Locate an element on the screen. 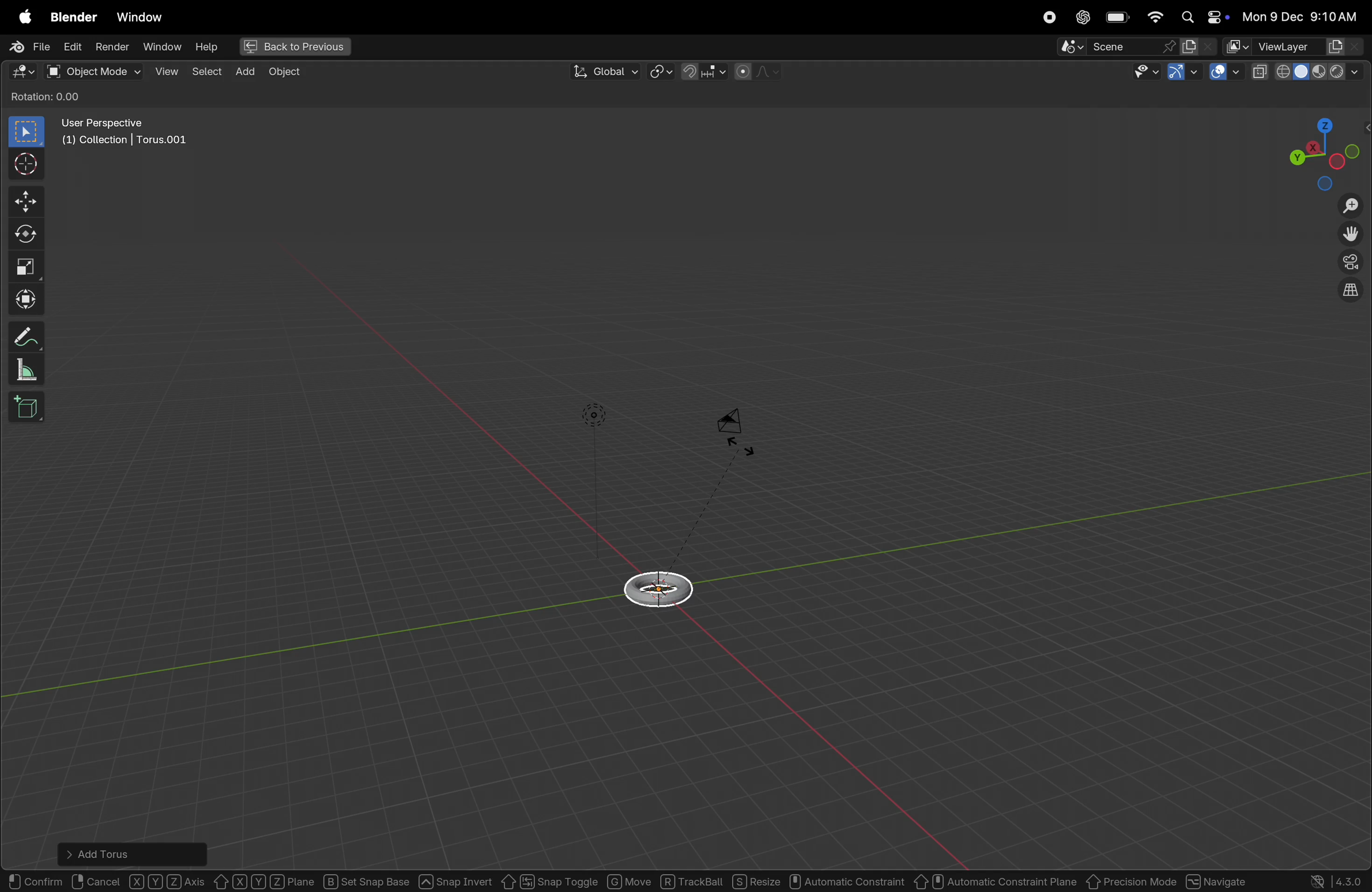  record is located at coordinates (1046, 17).